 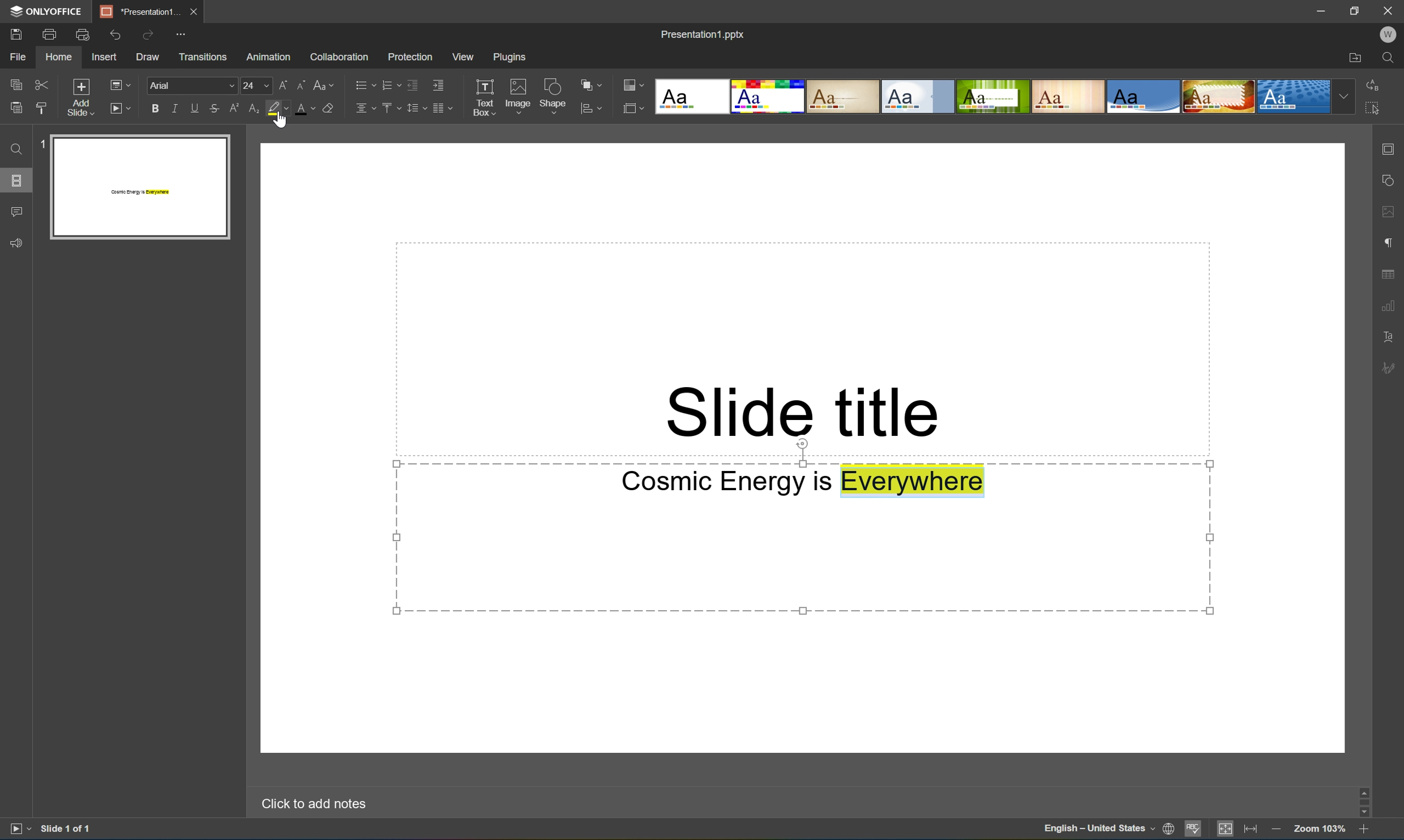 I want to click on Collaboration, so click(x=339, y=55).